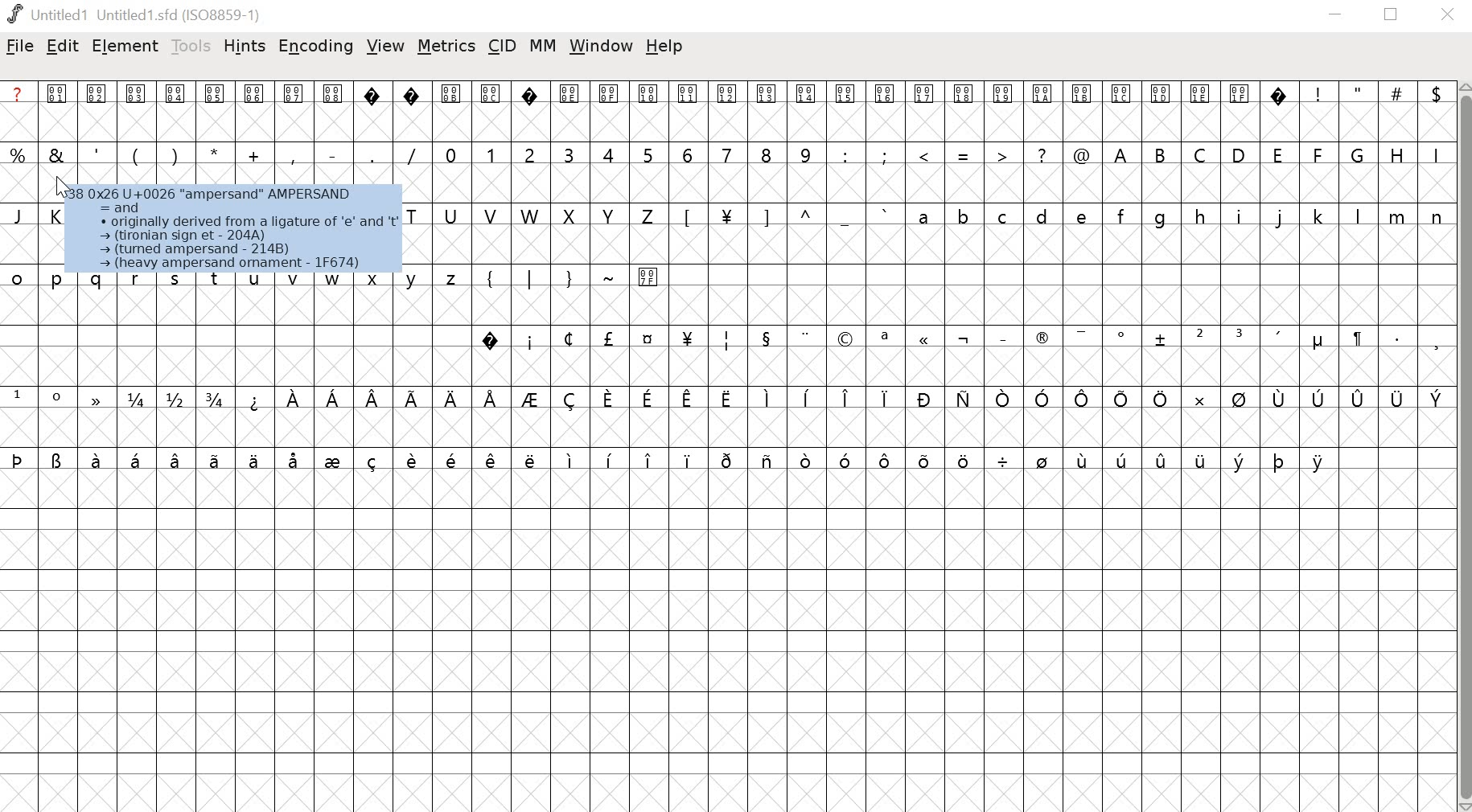 The height and width of the screenshot is (812, 1472). What do you see at coordinates (452, 153) in the screenshot?
I see `0` at bounding box center [452, 153].